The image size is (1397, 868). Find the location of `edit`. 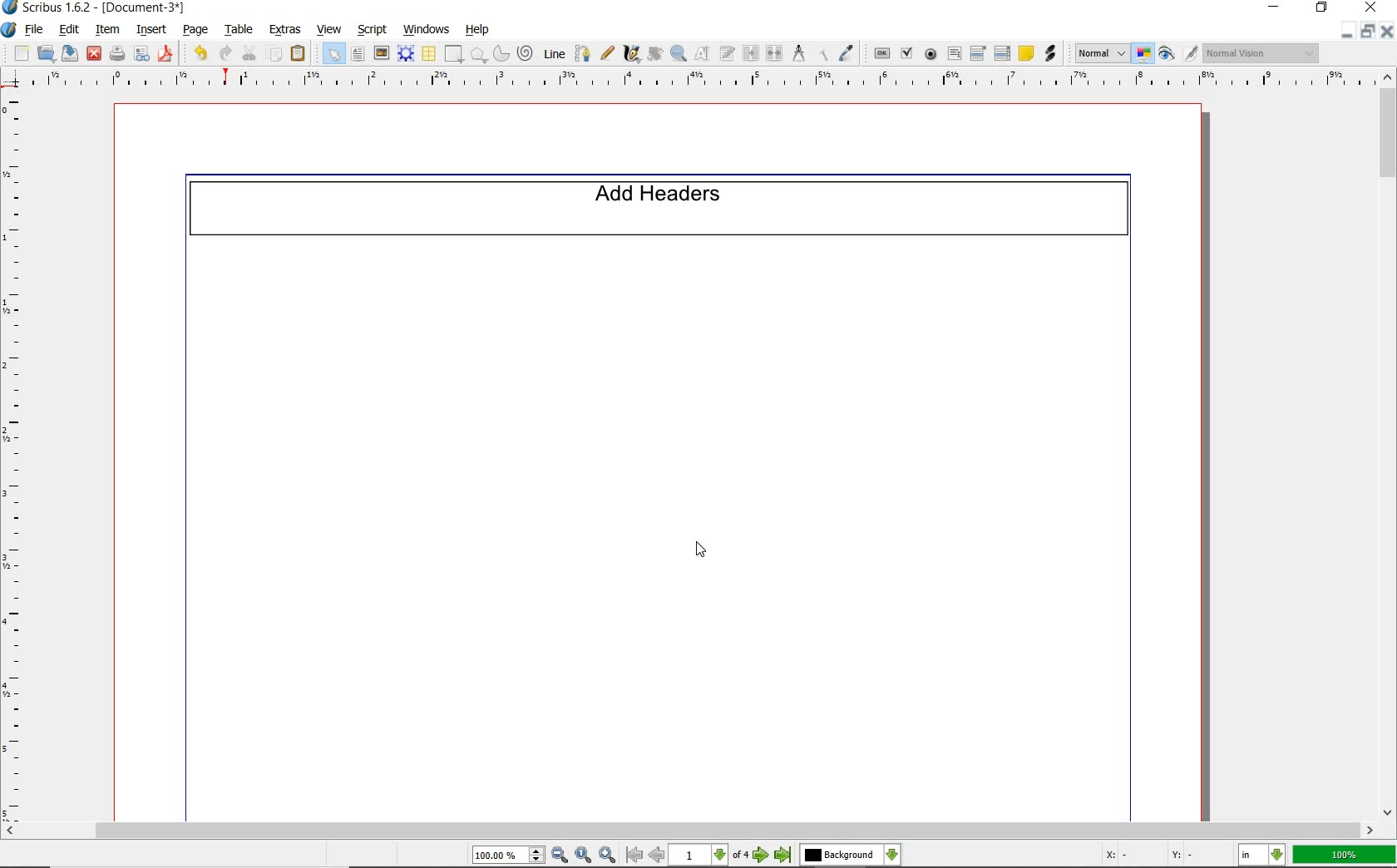

edit is located at coordinates (68, 29).